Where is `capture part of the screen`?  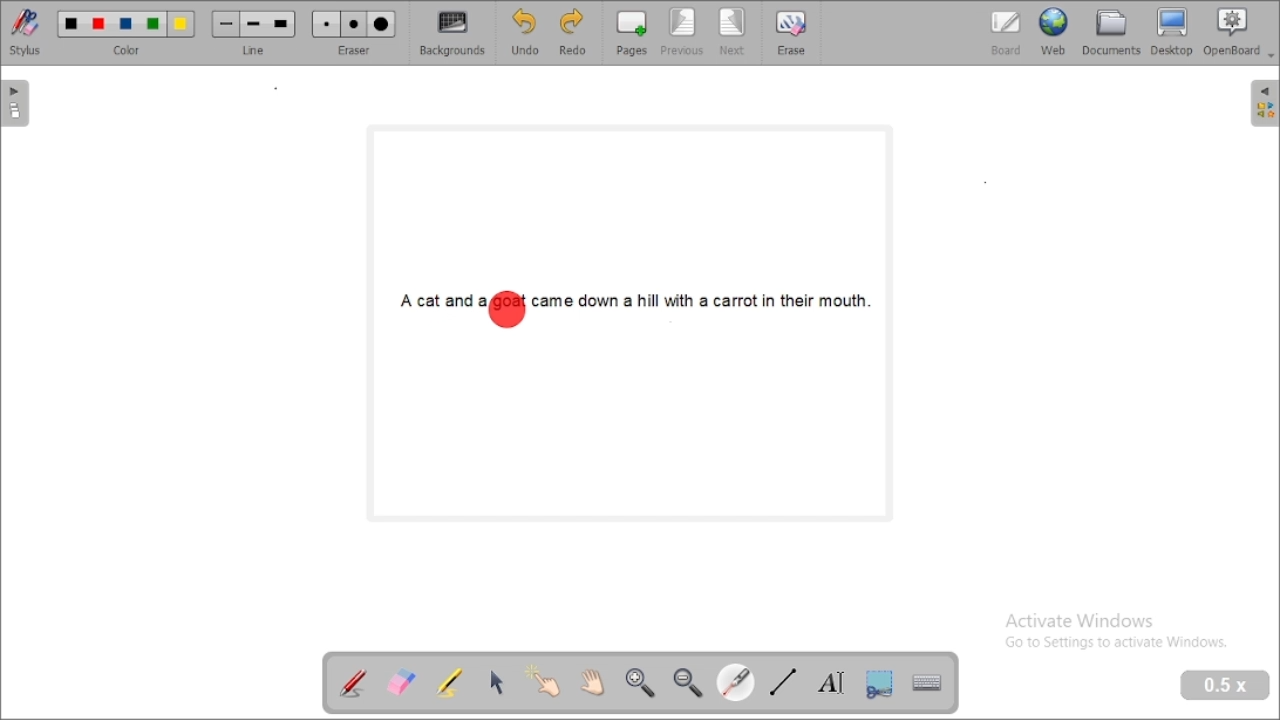
capture part of the screen is located at coordinates (880, 683).